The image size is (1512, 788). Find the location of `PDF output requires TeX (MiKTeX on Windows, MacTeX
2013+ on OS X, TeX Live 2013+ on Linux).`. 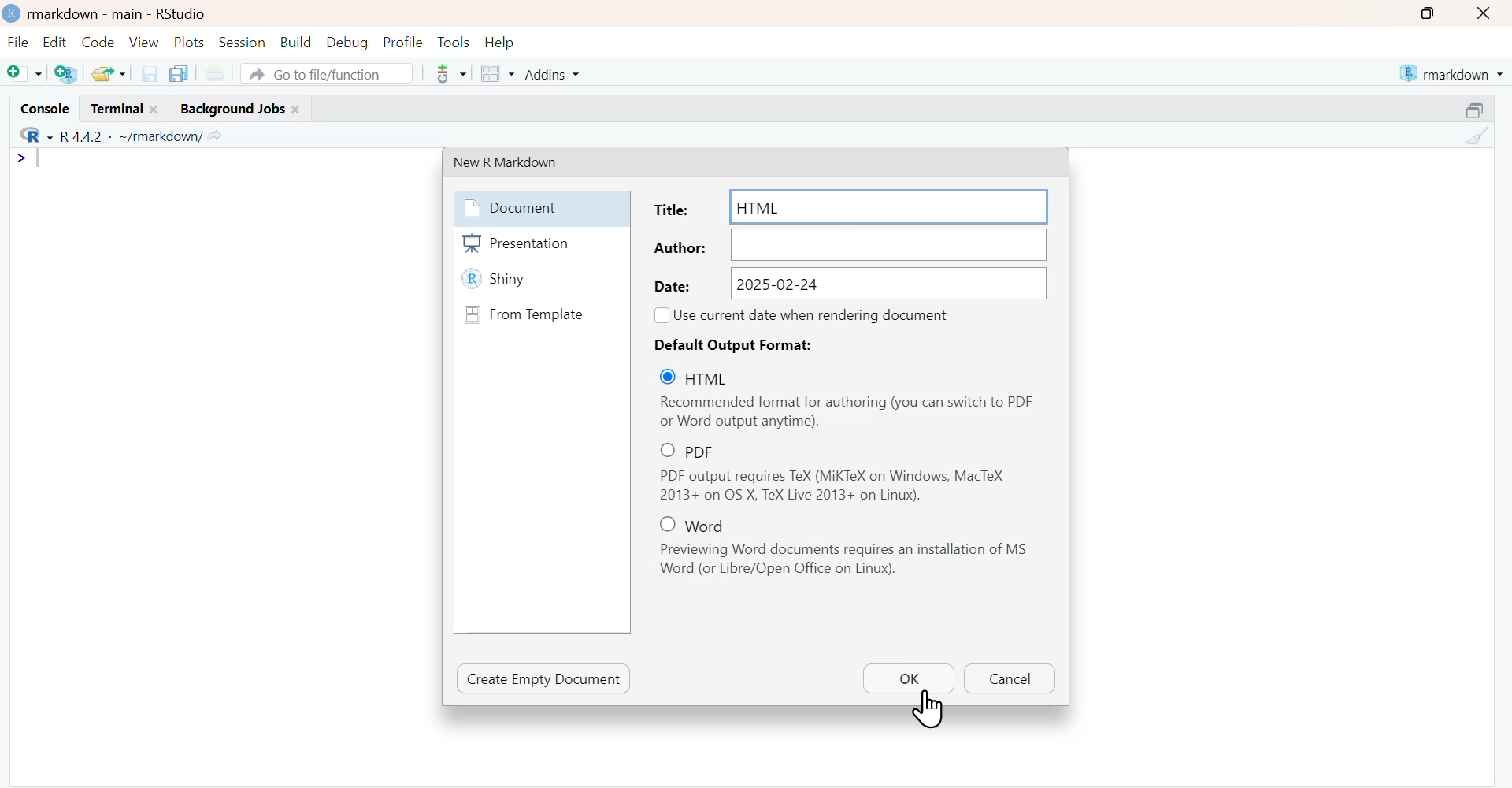

PDF output requires TeX (MiKTeX on Windows, MacTeX
2013+ on OS X, TeX Live 2013+ on Linux). is located at coordinates (848, 486).